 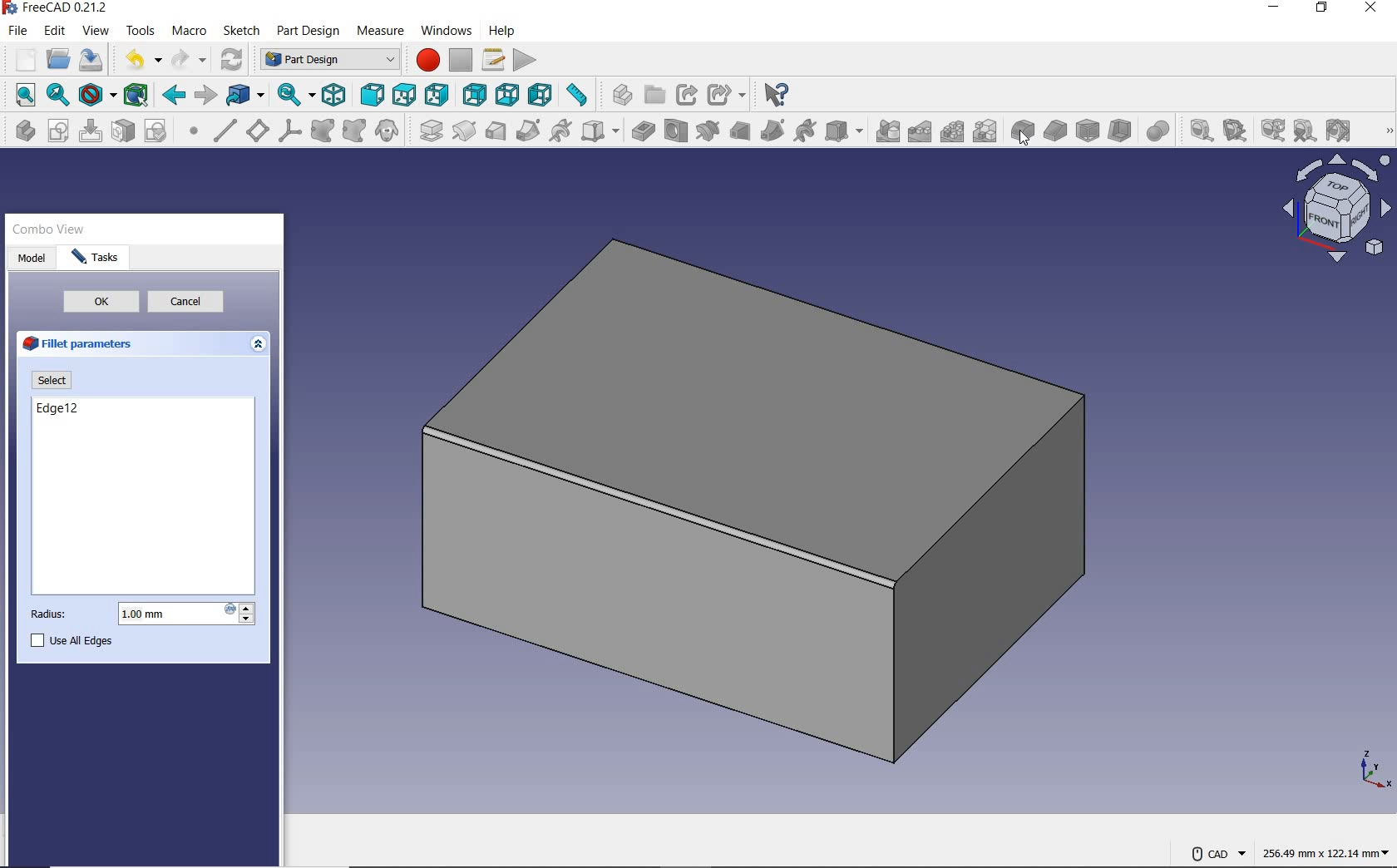 I want to click on more tools, so click(x=1389, y=131).